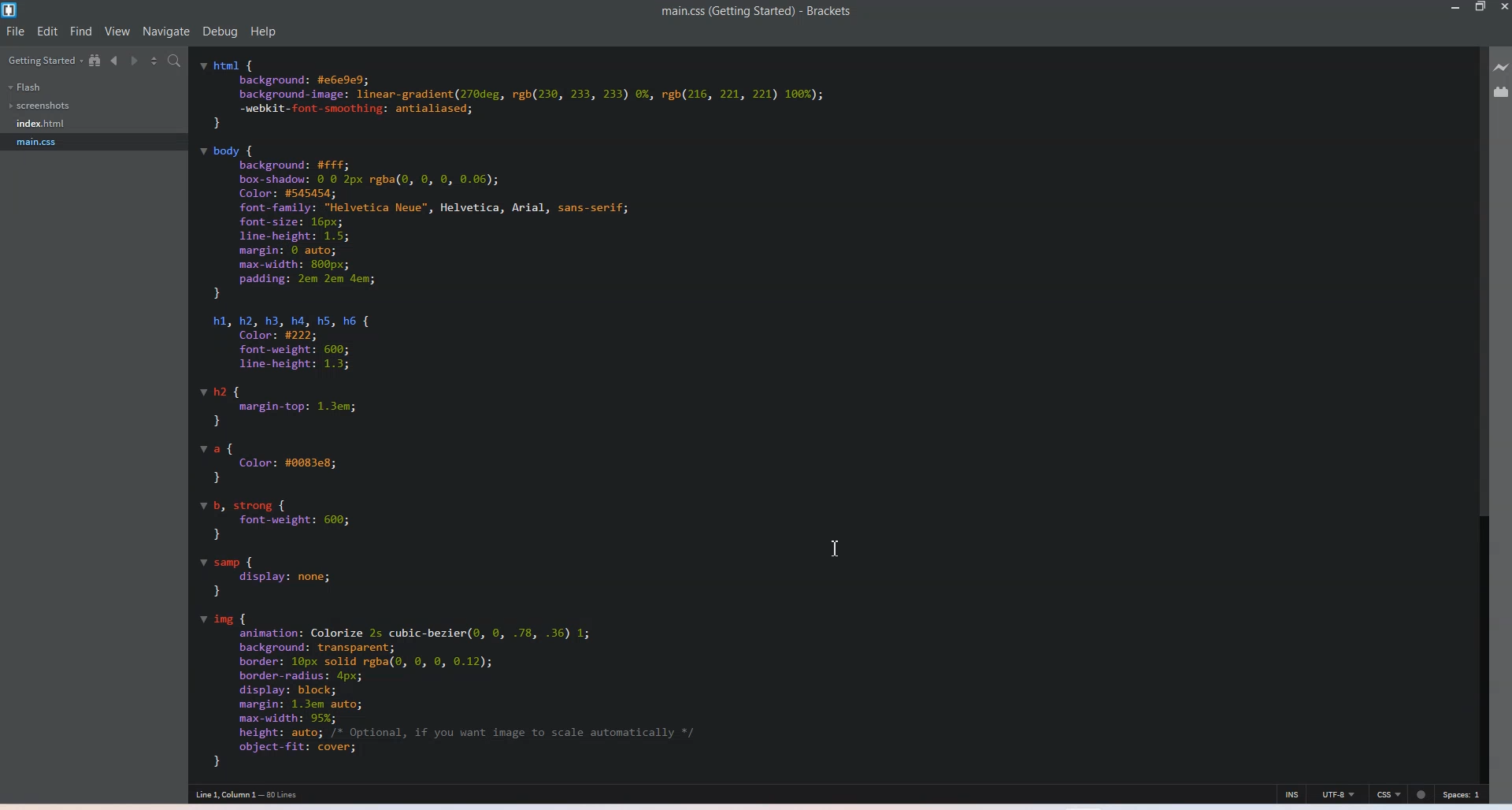 The image size is (1512, 810). What do you see at coordinates (25, 87) in the screenshot?
I see `Flash` at bounding box center [25, 87].